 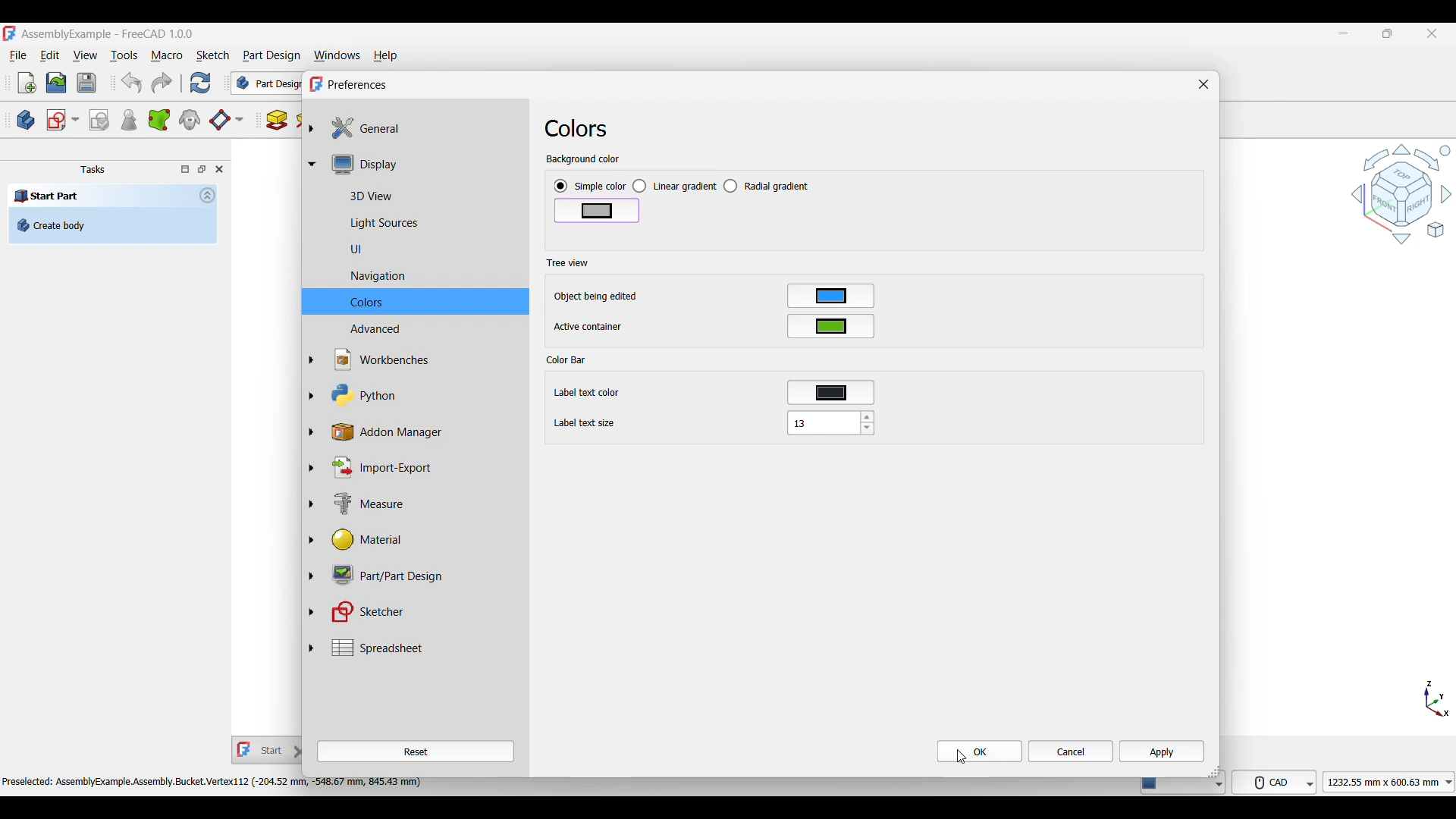 I want to click on Navigation, so click(x=423, y=277).